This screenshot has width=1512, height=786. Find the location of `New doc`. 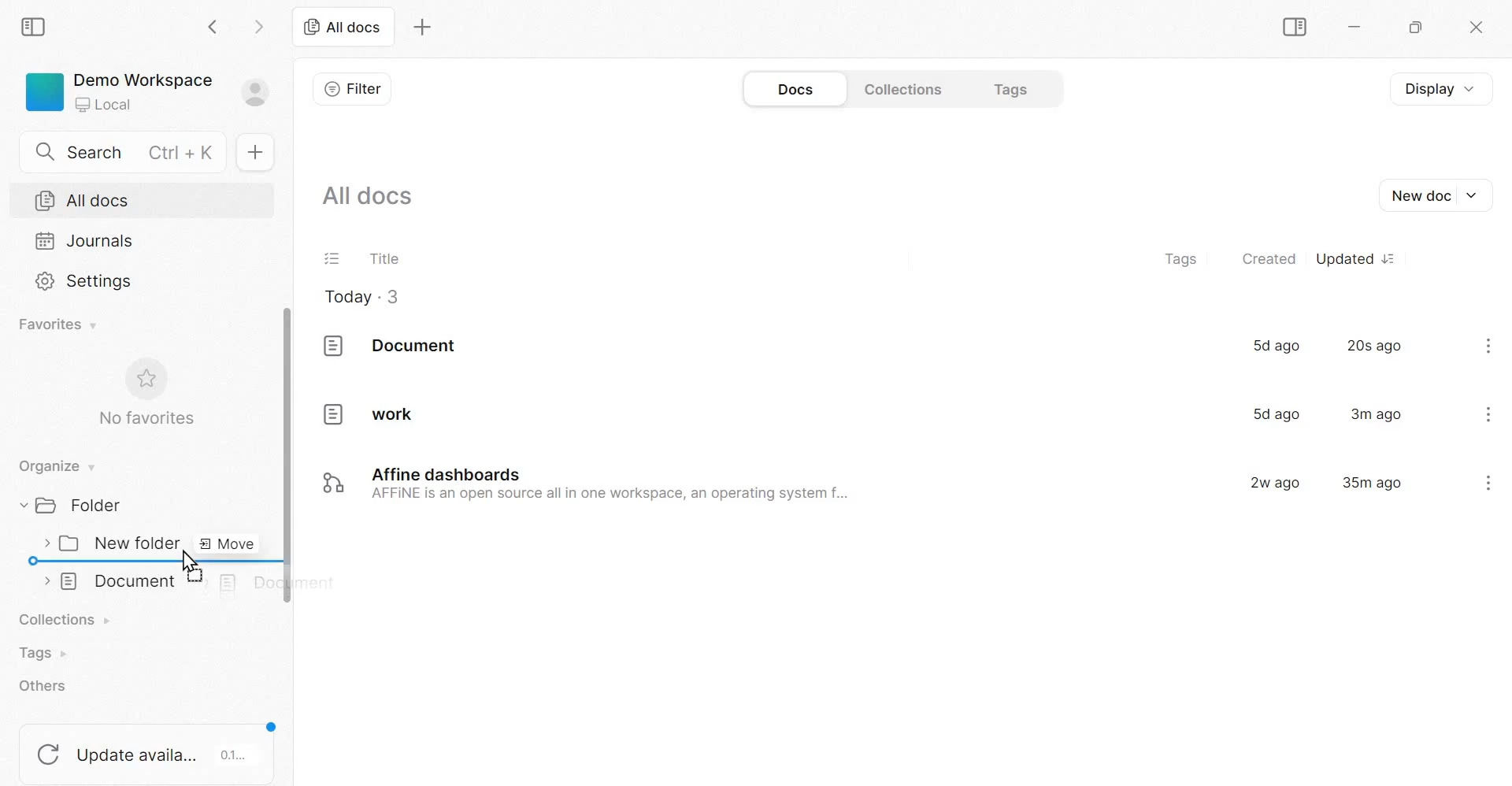

New doc is located at coordinates (252, 151).